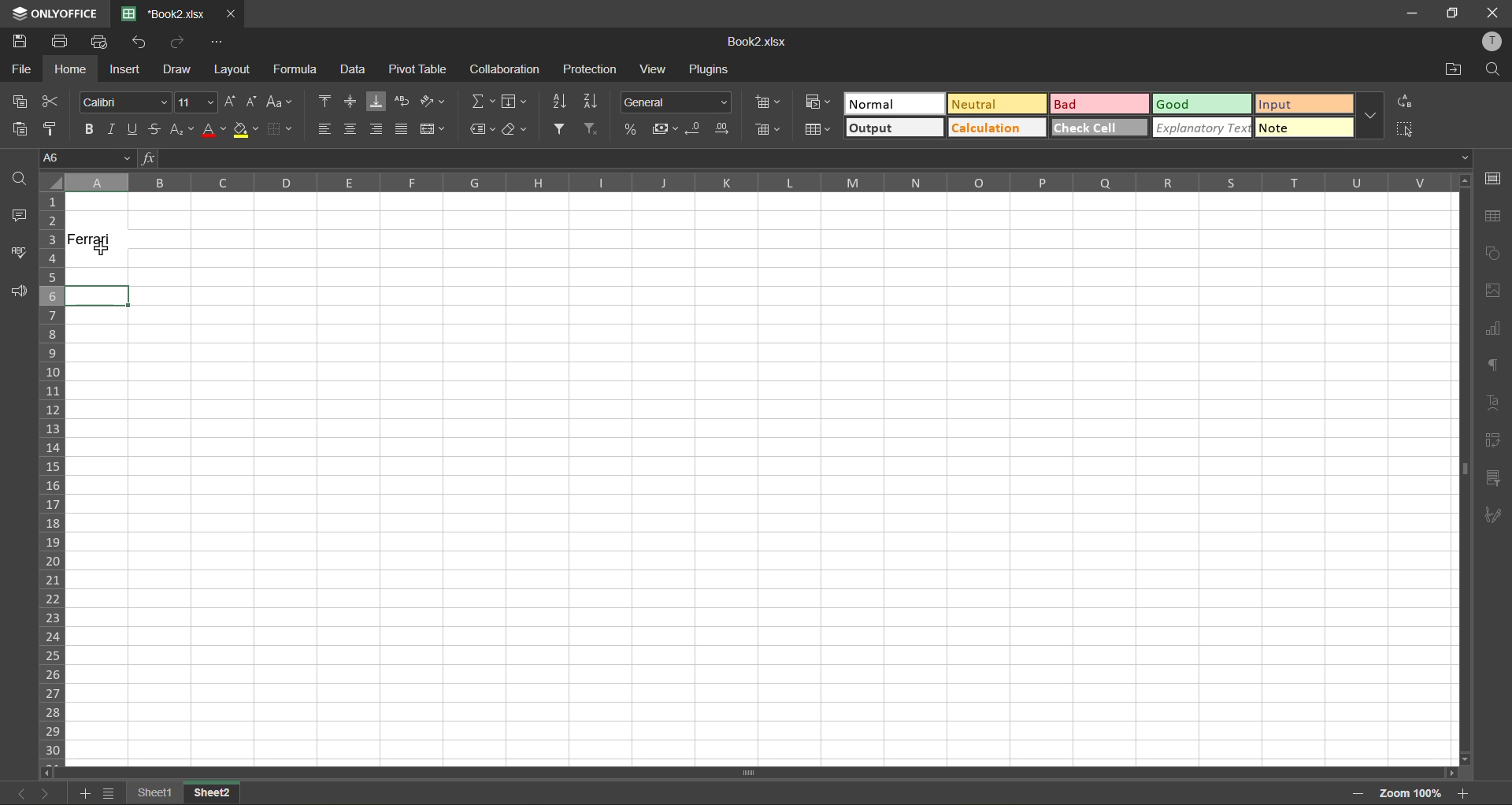  What do you see at coordinates (232, 71) in the screenshot?
I see `layout` at bounding box center [232, 71].